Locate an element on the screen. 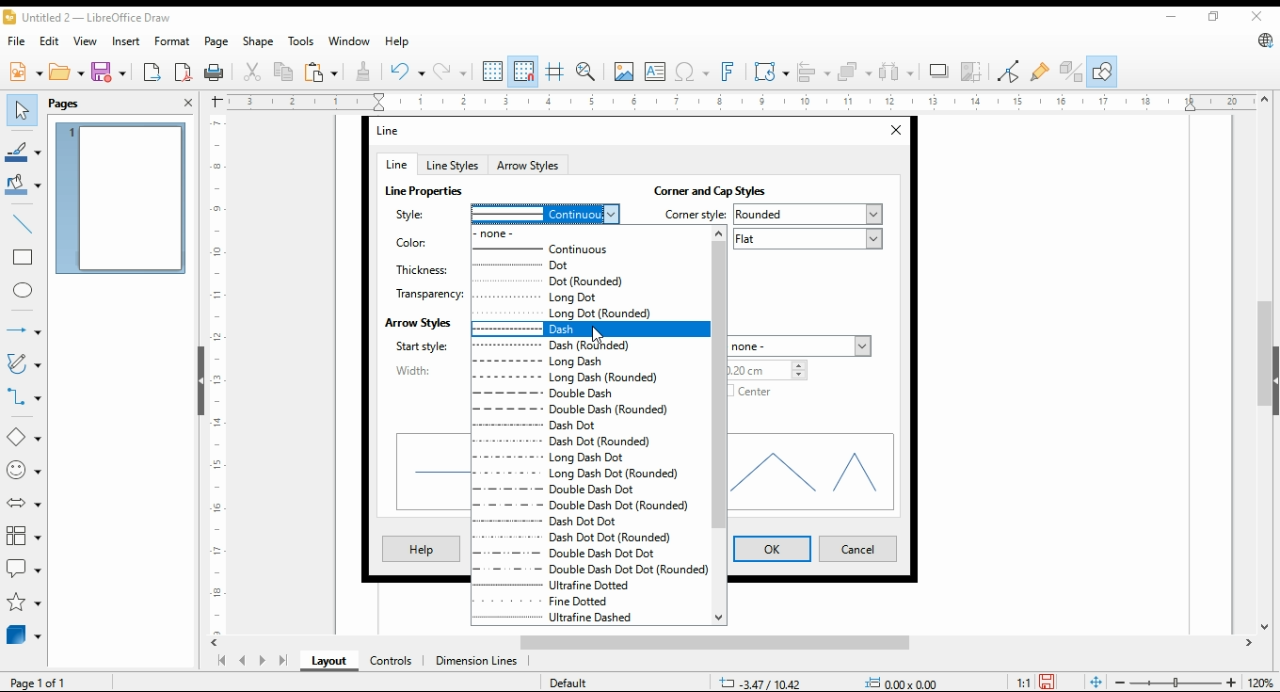 The width and height of the screenshot is (1280, 692). zoom slider is located at coordinates (1173, 682).